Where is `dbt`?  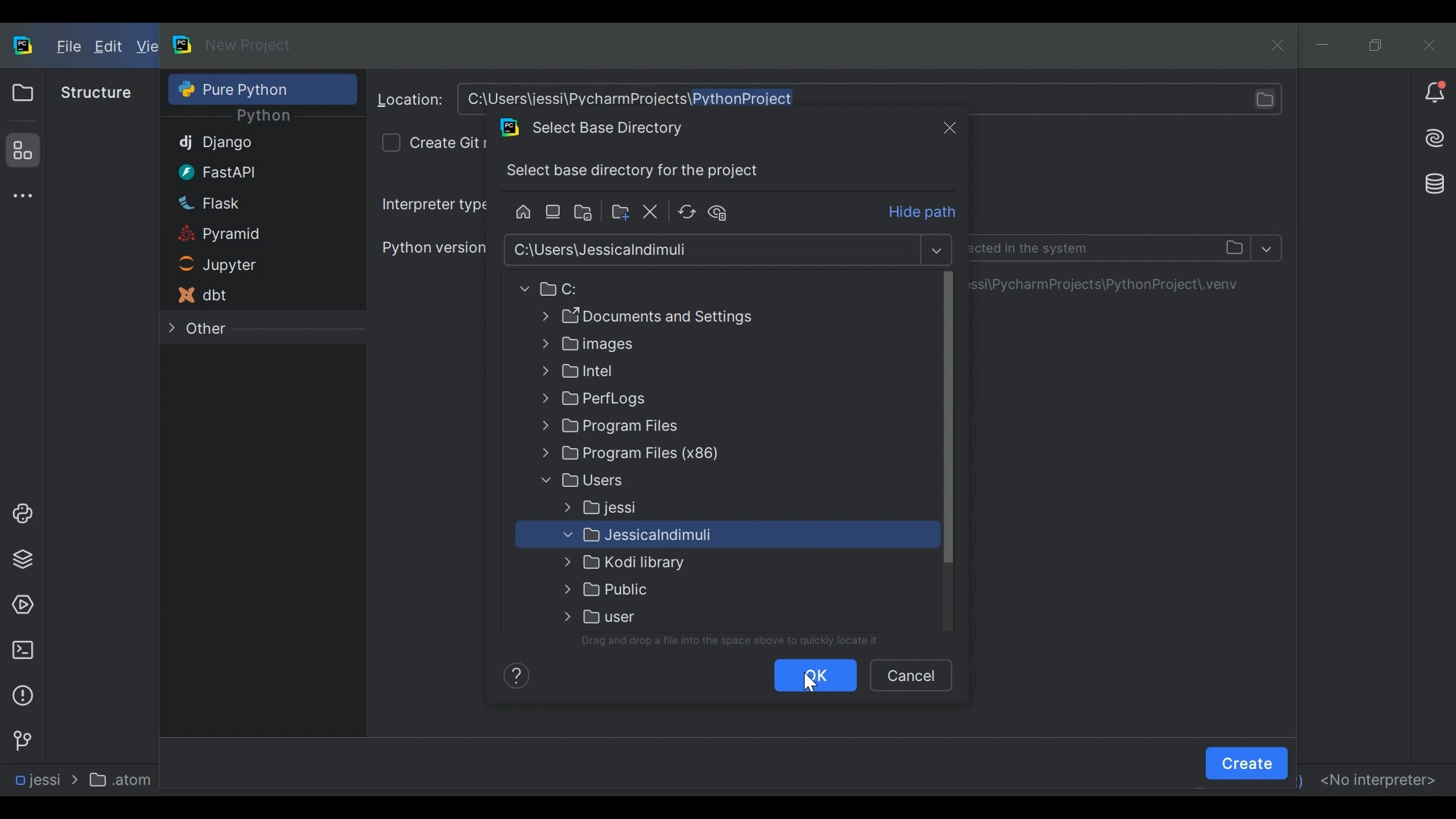 dbt is located at coordinates (240, 295).